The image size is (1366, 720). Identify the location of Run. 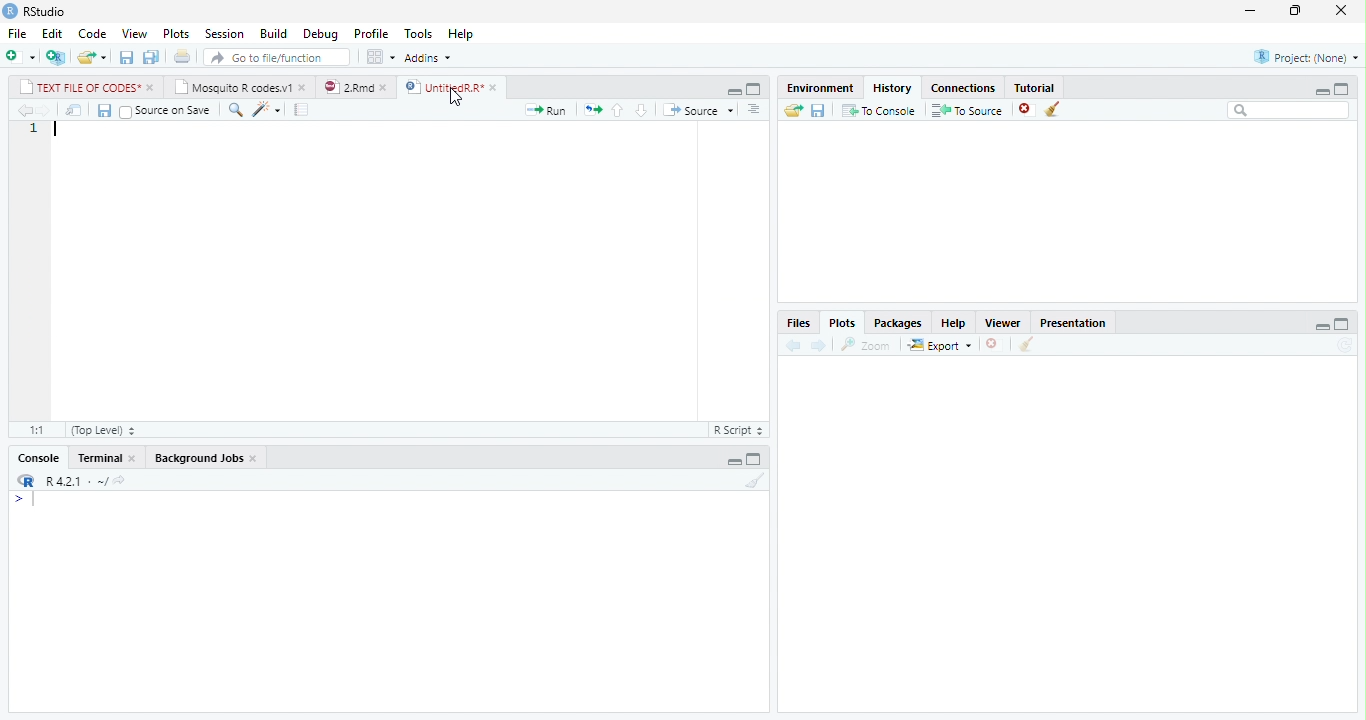
(546, 110).